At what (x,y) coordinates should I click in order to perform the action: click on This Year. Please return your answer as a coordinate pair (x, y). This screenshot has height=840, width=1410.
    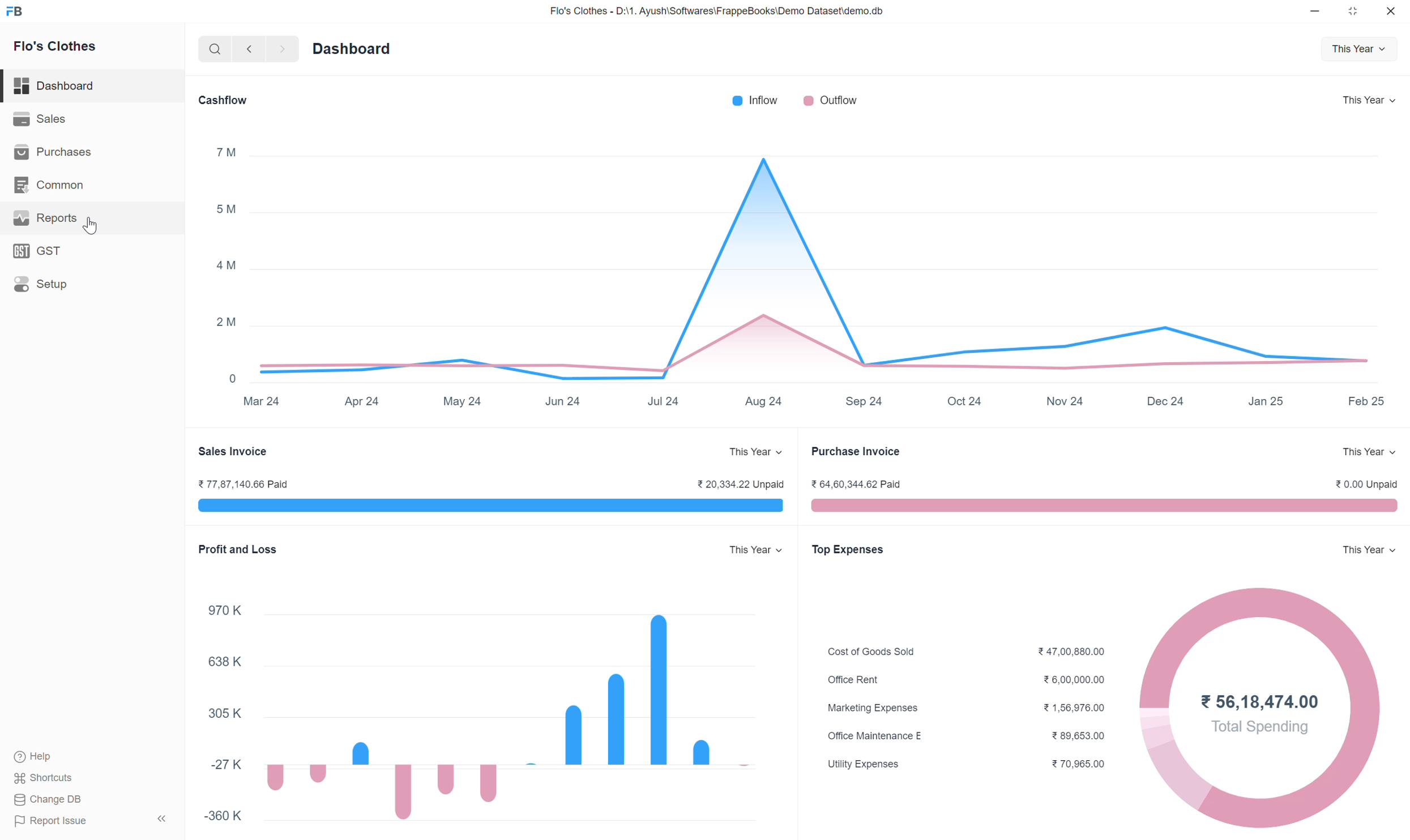
    Looking at the image, I should click on (1368, 453).